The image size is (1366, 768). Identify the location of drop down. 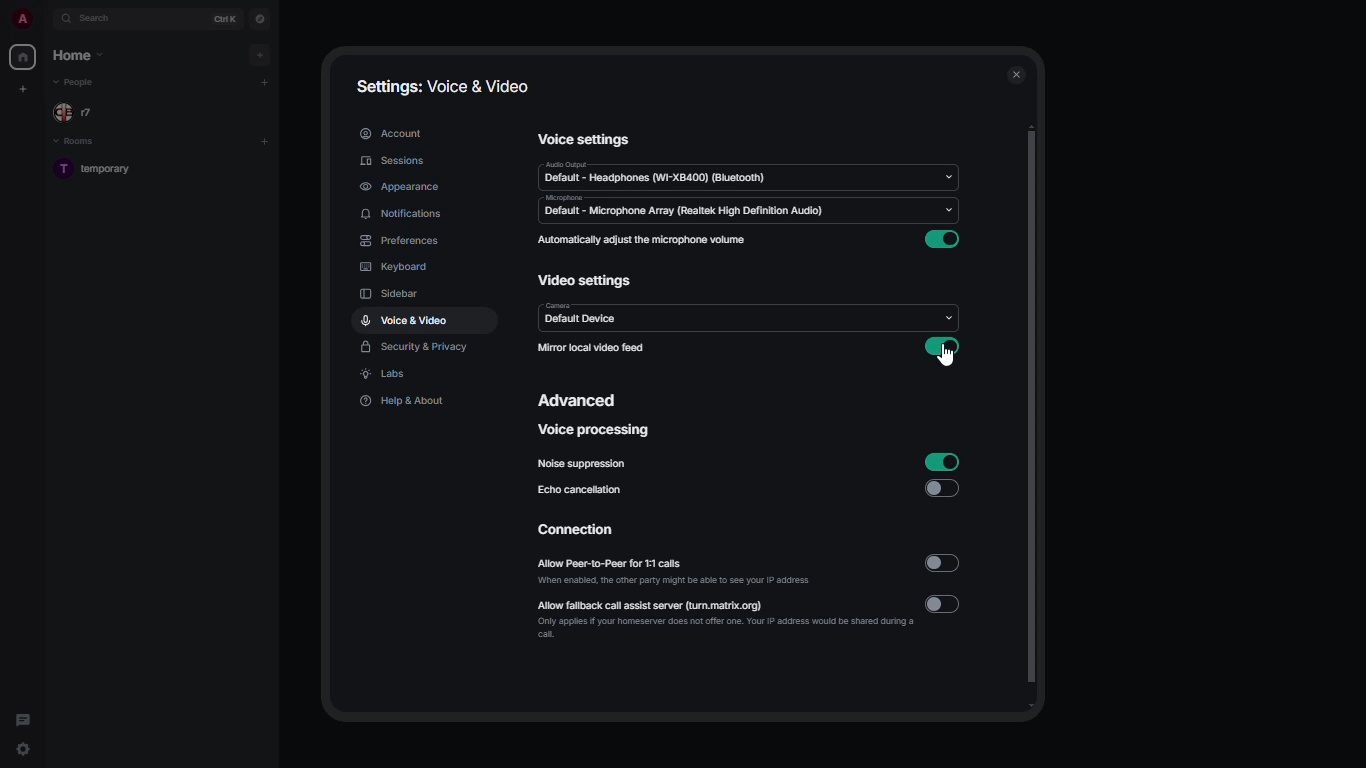
(946, 317).